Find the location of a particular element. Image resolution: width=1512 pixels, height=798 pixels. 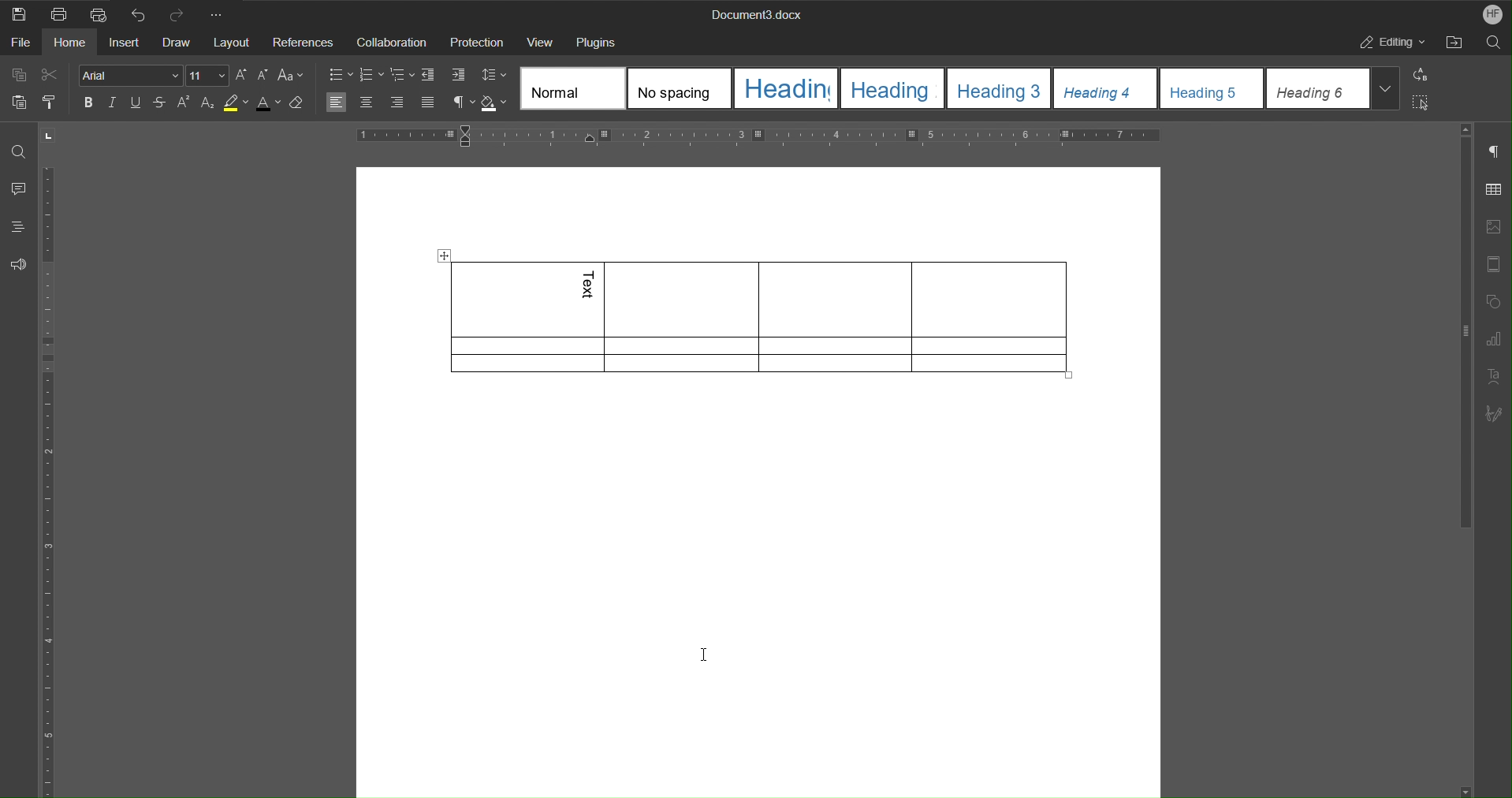

Increase Indent is located at coordinates (460, 76).